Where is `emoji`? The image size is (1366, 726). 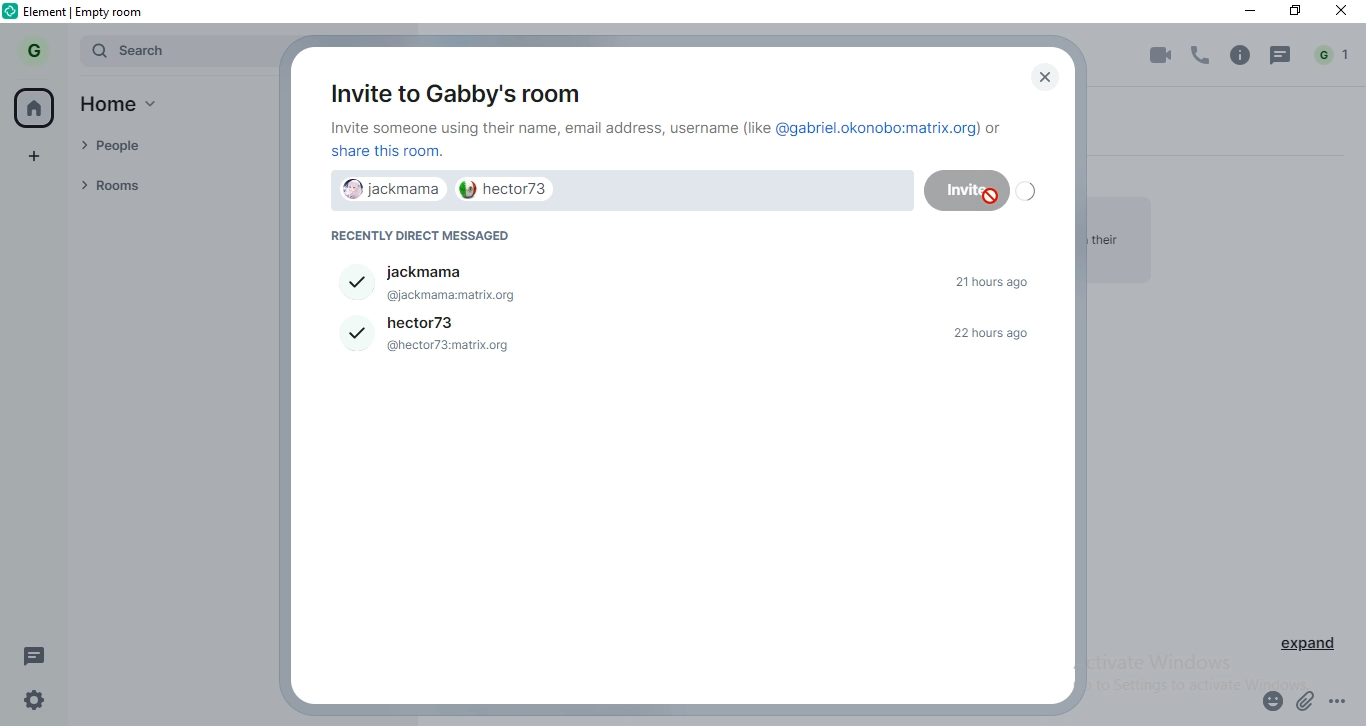 emoji is located at coordinates (1269, 704).